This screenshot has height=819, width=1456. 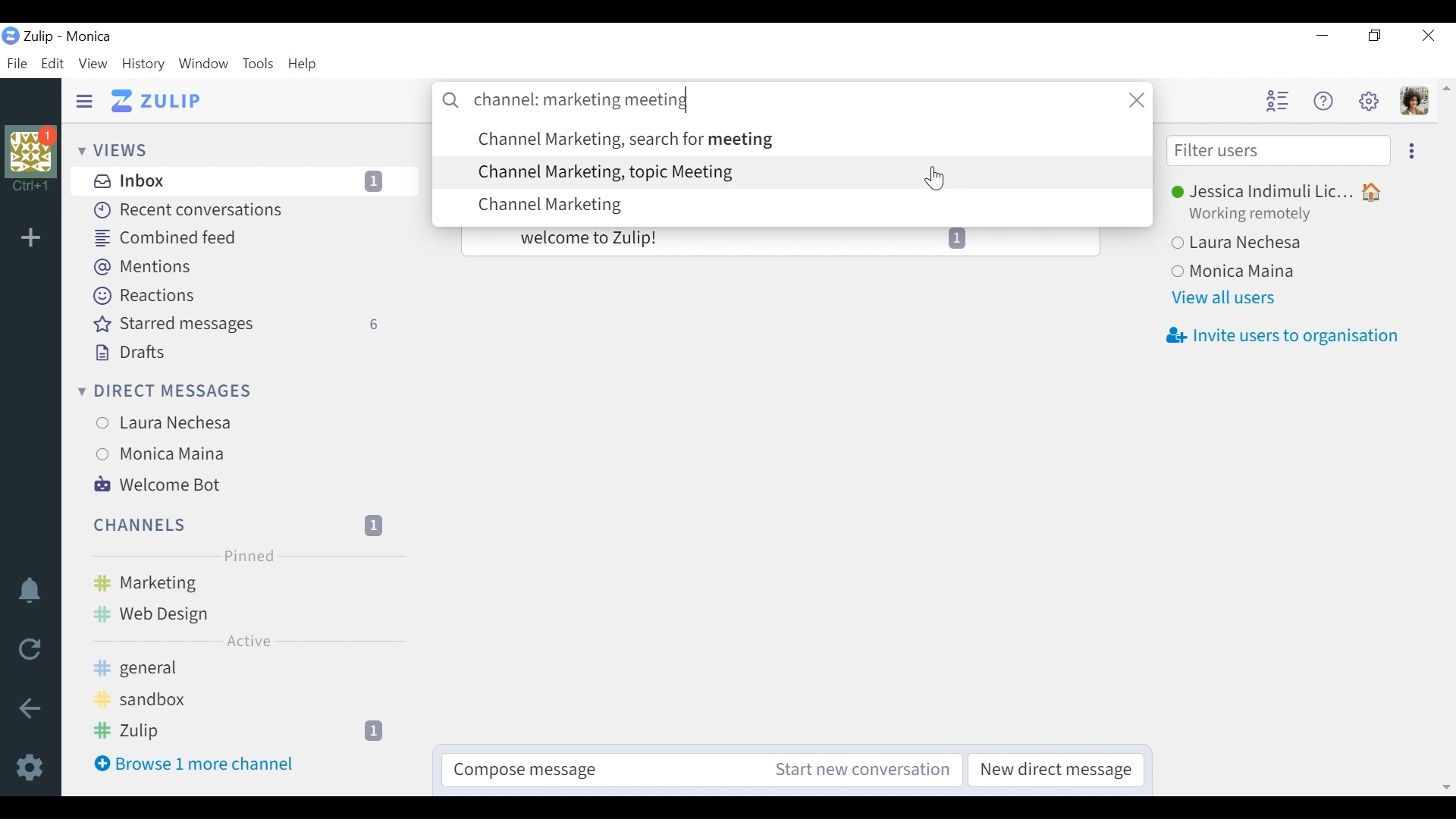 What do you see at coordinates (1370, 100) in the screenshot?
I see `Settings menu` at bounding box center [1370, 100].